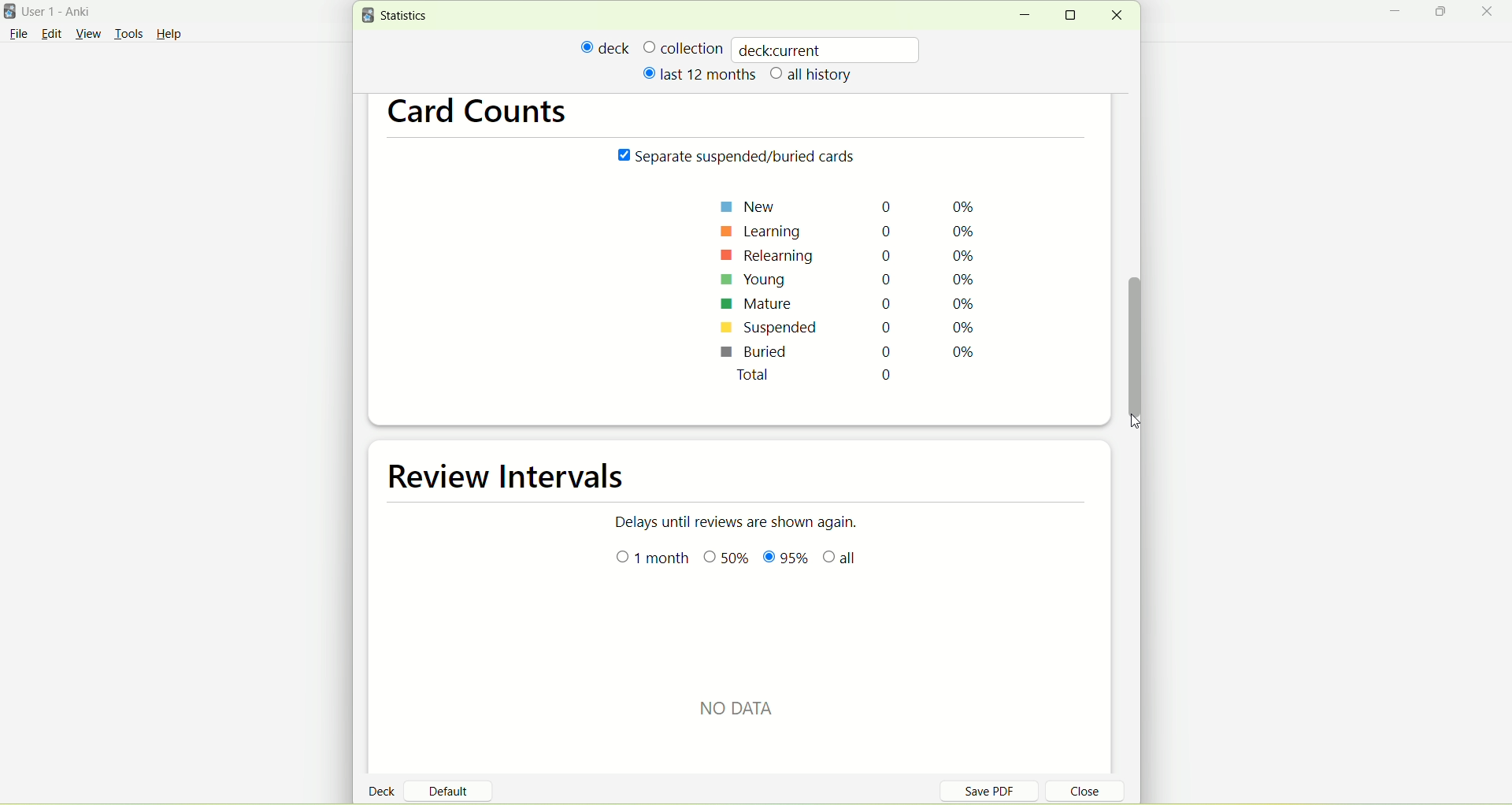  I want to click on minimize, so click(1024, 16).